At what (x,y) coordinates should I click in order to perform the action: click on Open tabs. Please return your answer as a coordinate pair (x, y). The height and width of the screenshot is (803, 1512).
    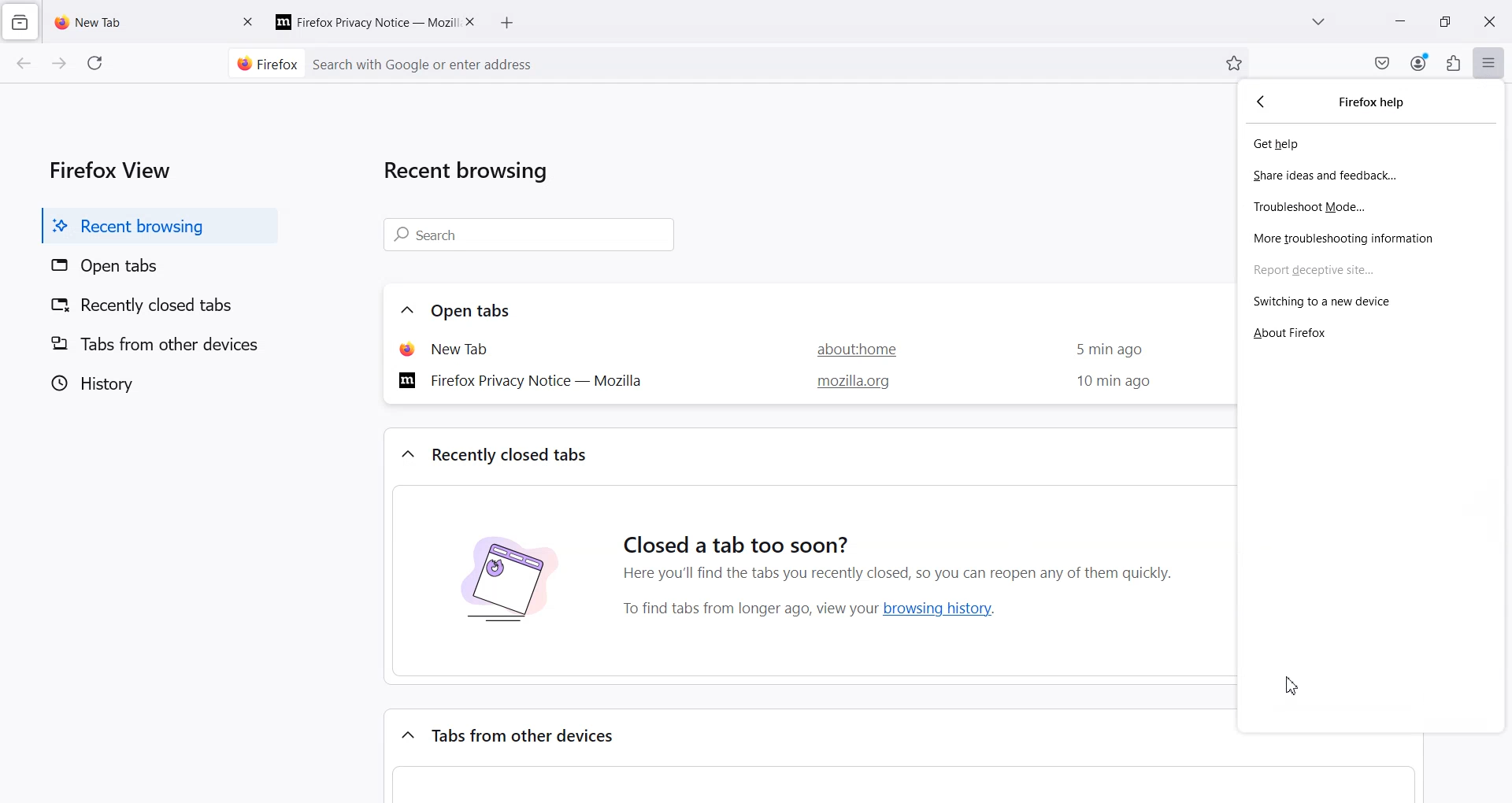
    Looking at the image, I should click on (154, 267).